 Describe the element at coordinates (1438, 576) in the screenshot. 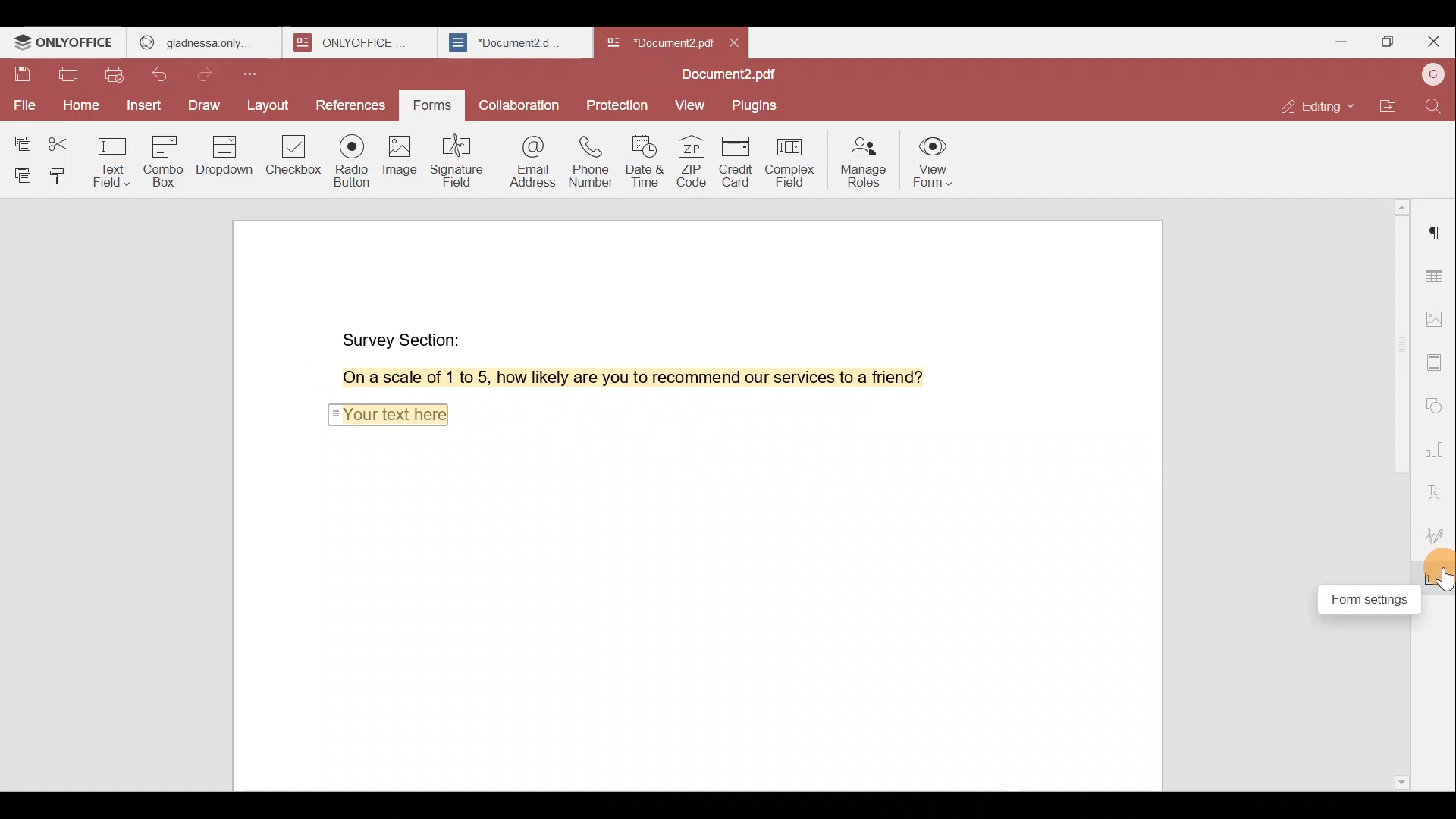

I see `Form settings` at that location.